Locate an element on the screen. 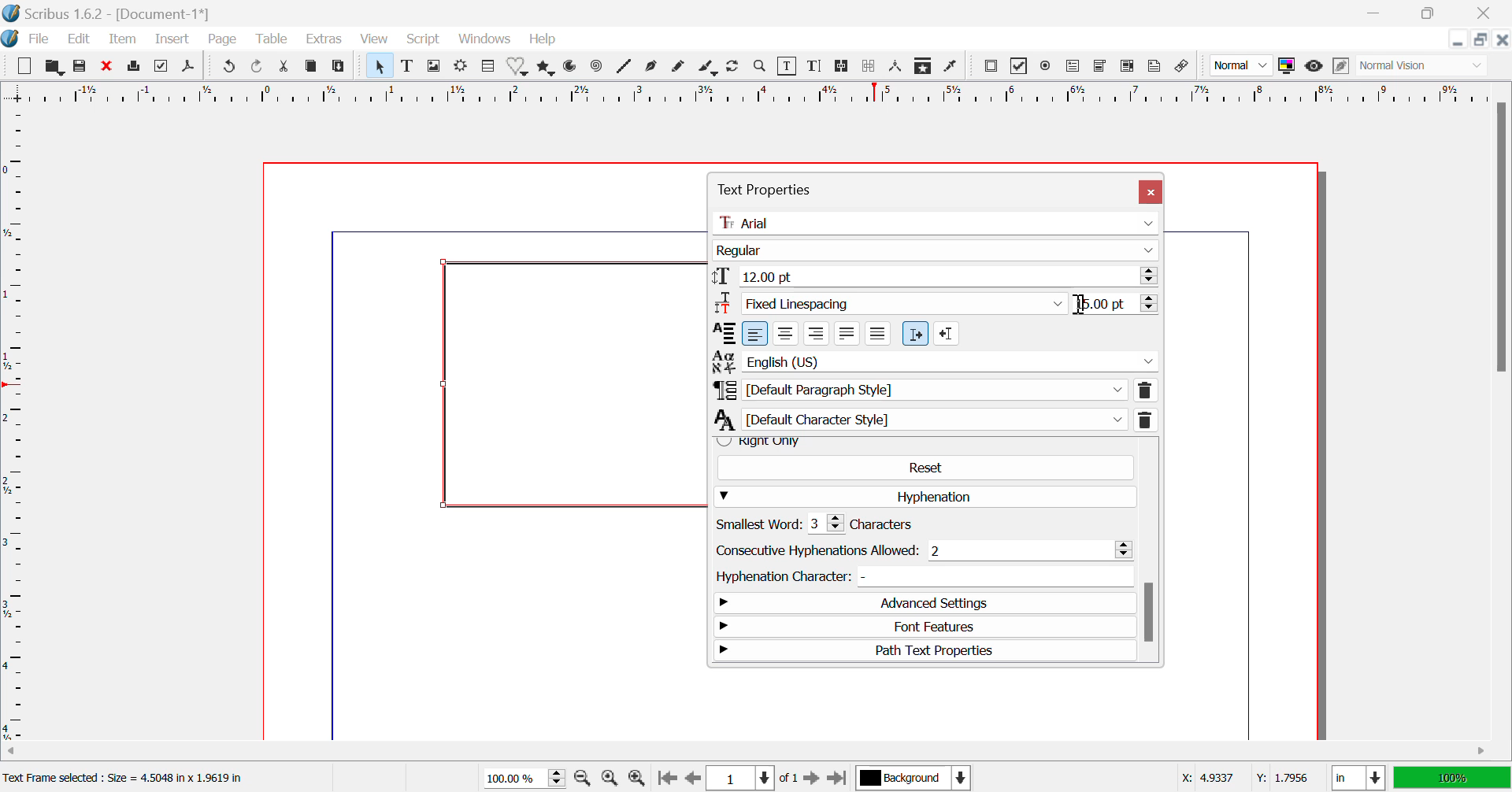 The height and width of the screenshot is (792, 1512). Default Paragraph Style is located at coordinates (935, 390).